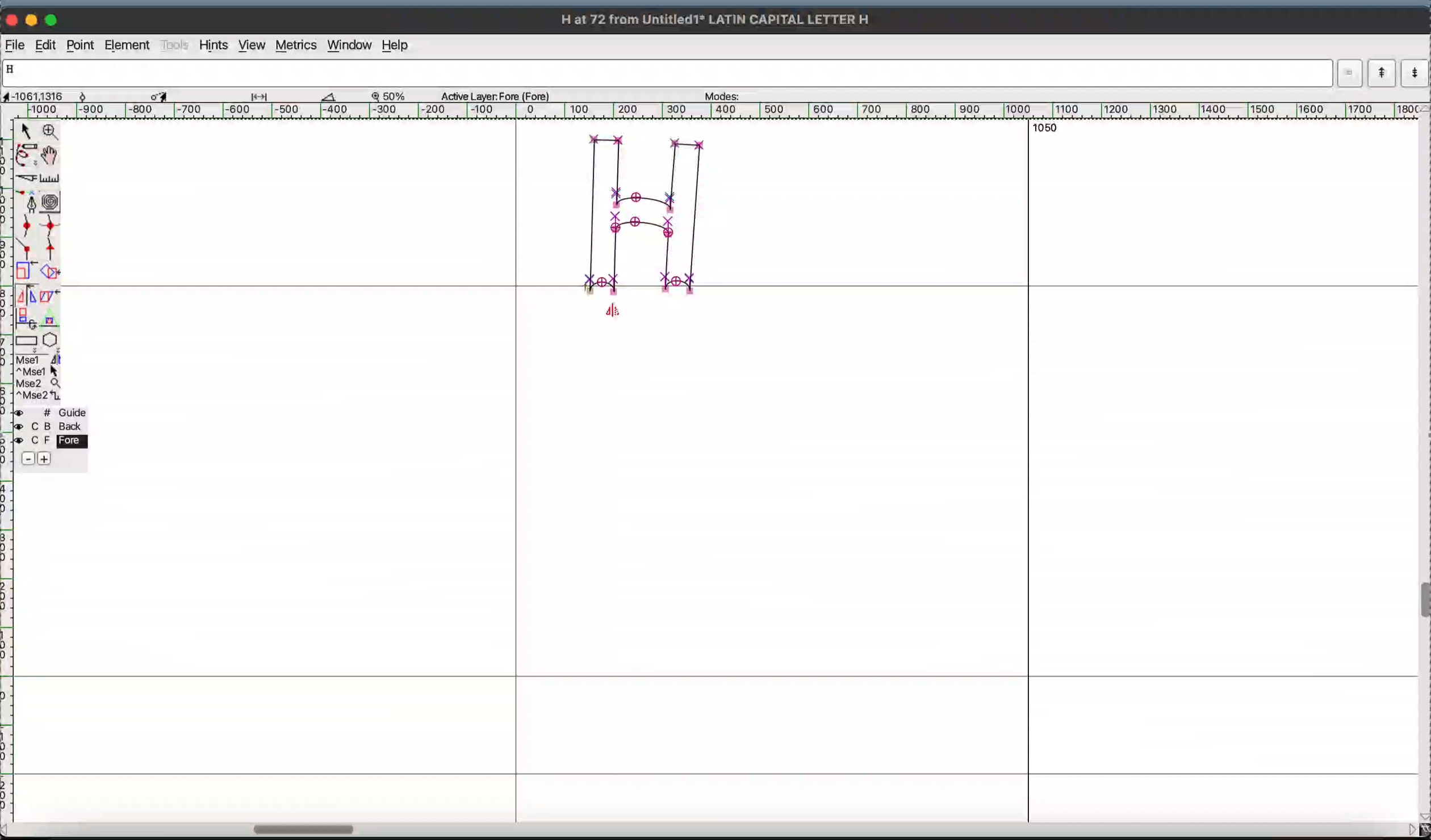 This screenshot has width=1431, height=840. Describe the element at coordinates (26, 318) in the screenshot. I see `3d rotate` at that location.